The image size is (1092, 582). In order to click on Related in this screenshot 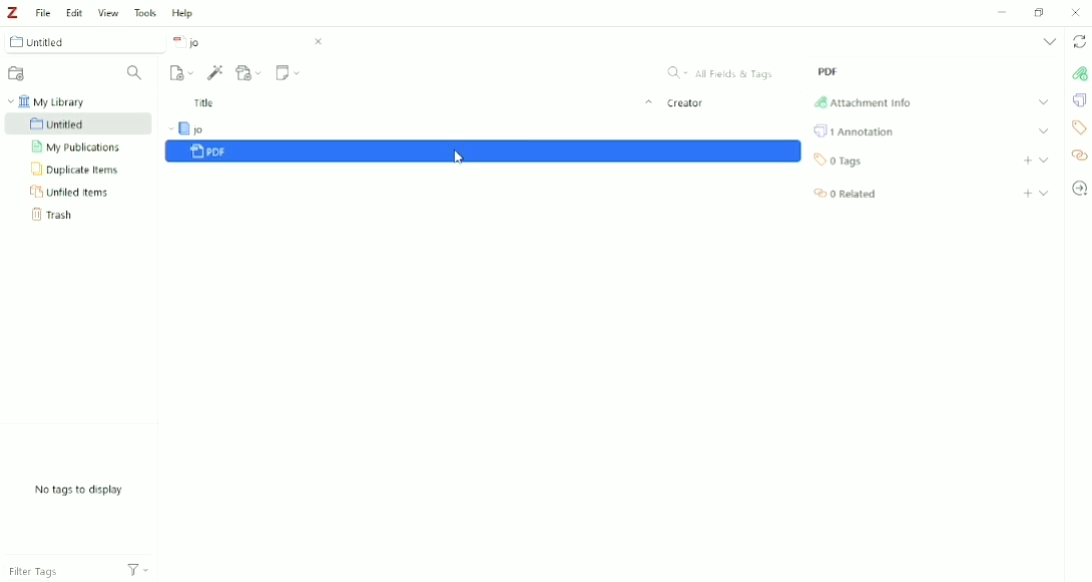, I will do `click(1078, 157)`.